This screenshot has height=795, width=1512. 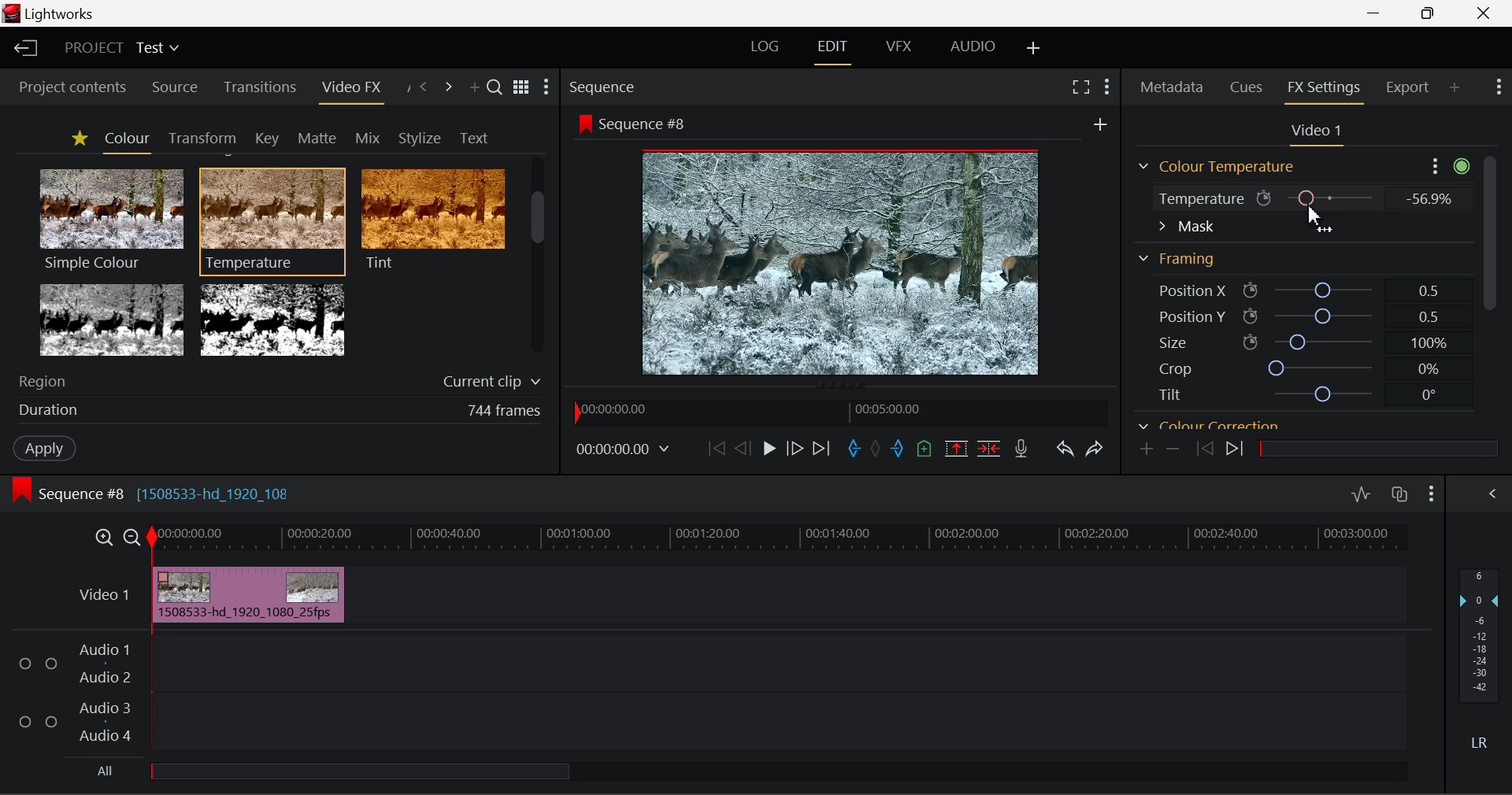 I want to click on All, so click(x=106, y=770).